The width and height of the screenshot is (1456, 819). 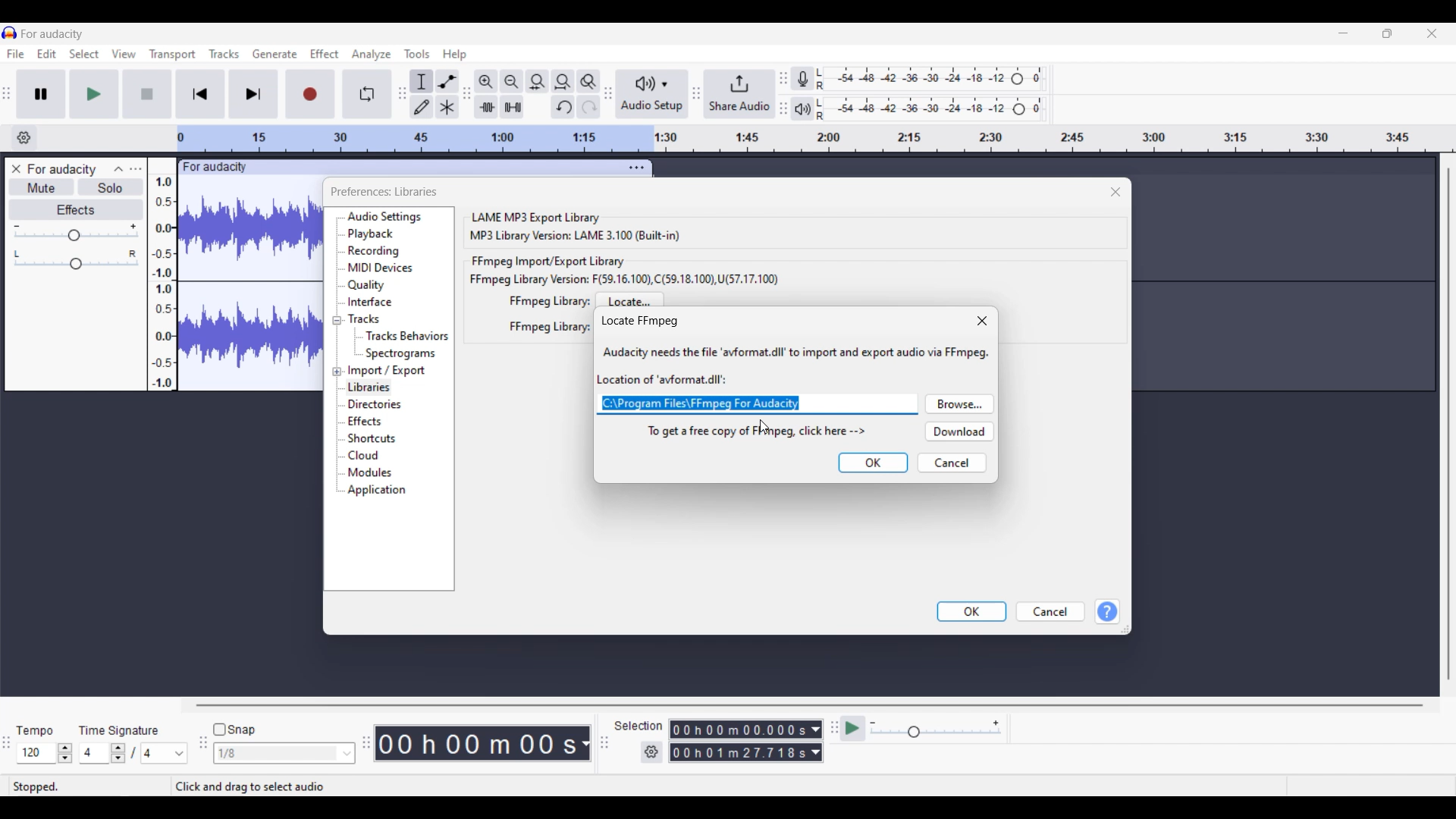 I want to click on Help, so click(x=1107, y=612).